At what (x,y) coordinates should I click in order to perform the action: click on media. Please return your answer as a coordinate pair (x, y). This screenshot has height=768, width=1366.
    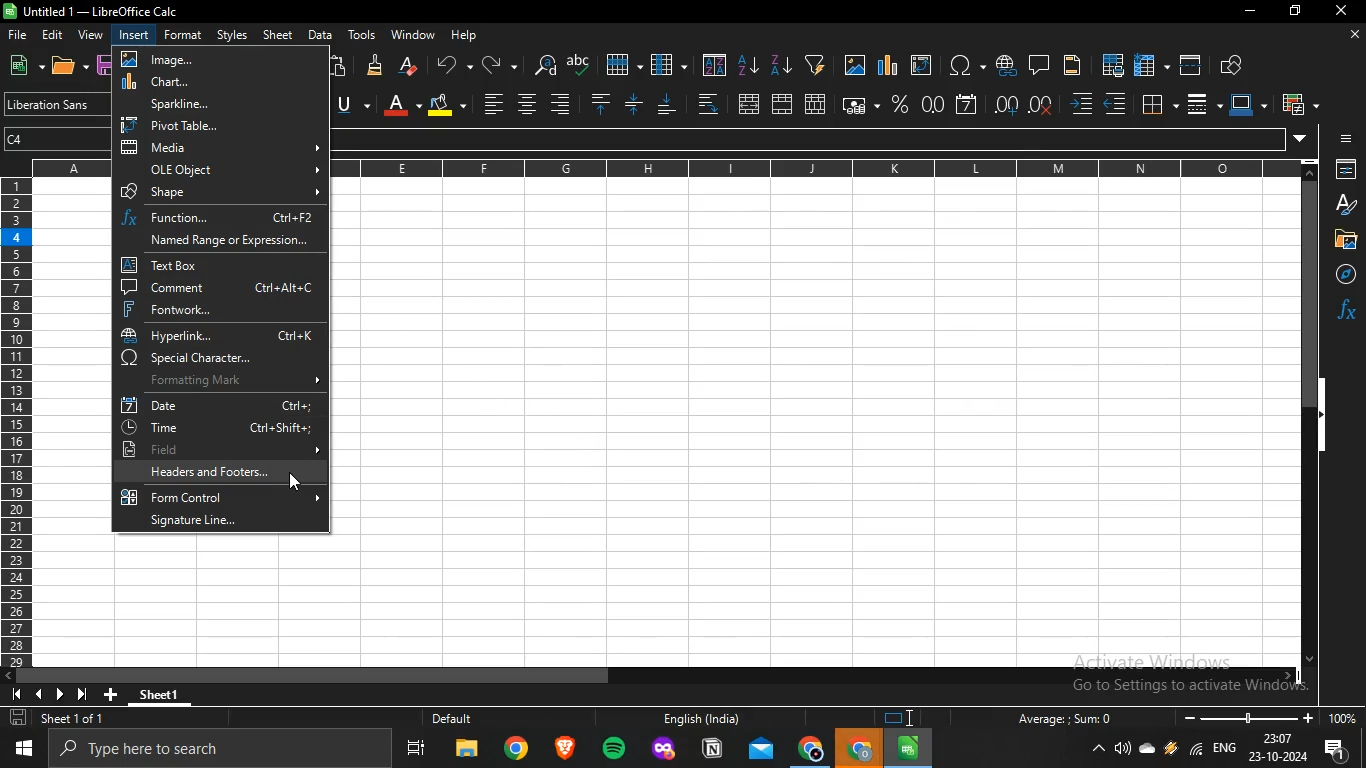
    Looking at the image, I should click on (223, 147).